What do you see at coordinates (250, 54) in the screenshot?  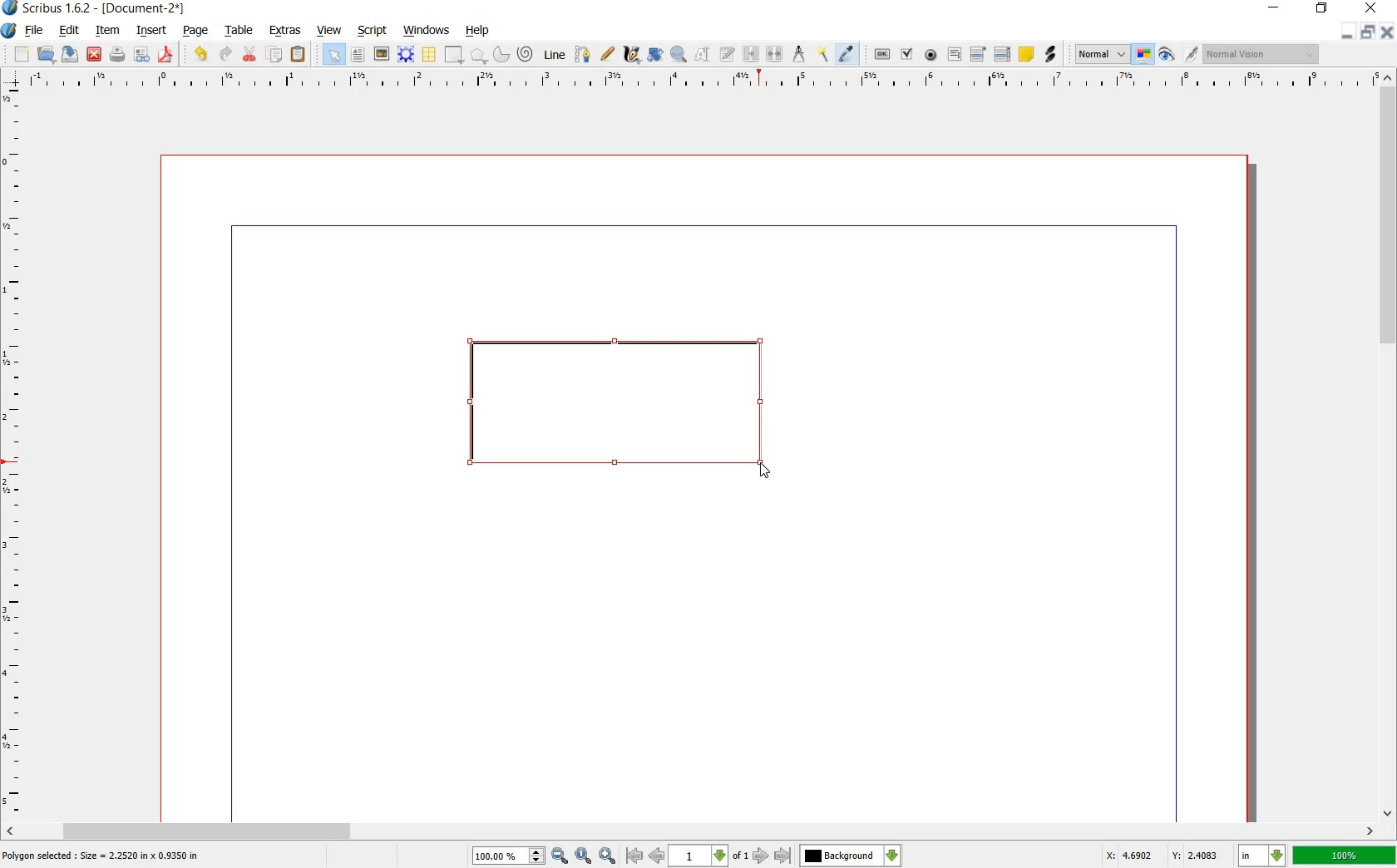 I see `CUT` at bounding box center [250, 54].